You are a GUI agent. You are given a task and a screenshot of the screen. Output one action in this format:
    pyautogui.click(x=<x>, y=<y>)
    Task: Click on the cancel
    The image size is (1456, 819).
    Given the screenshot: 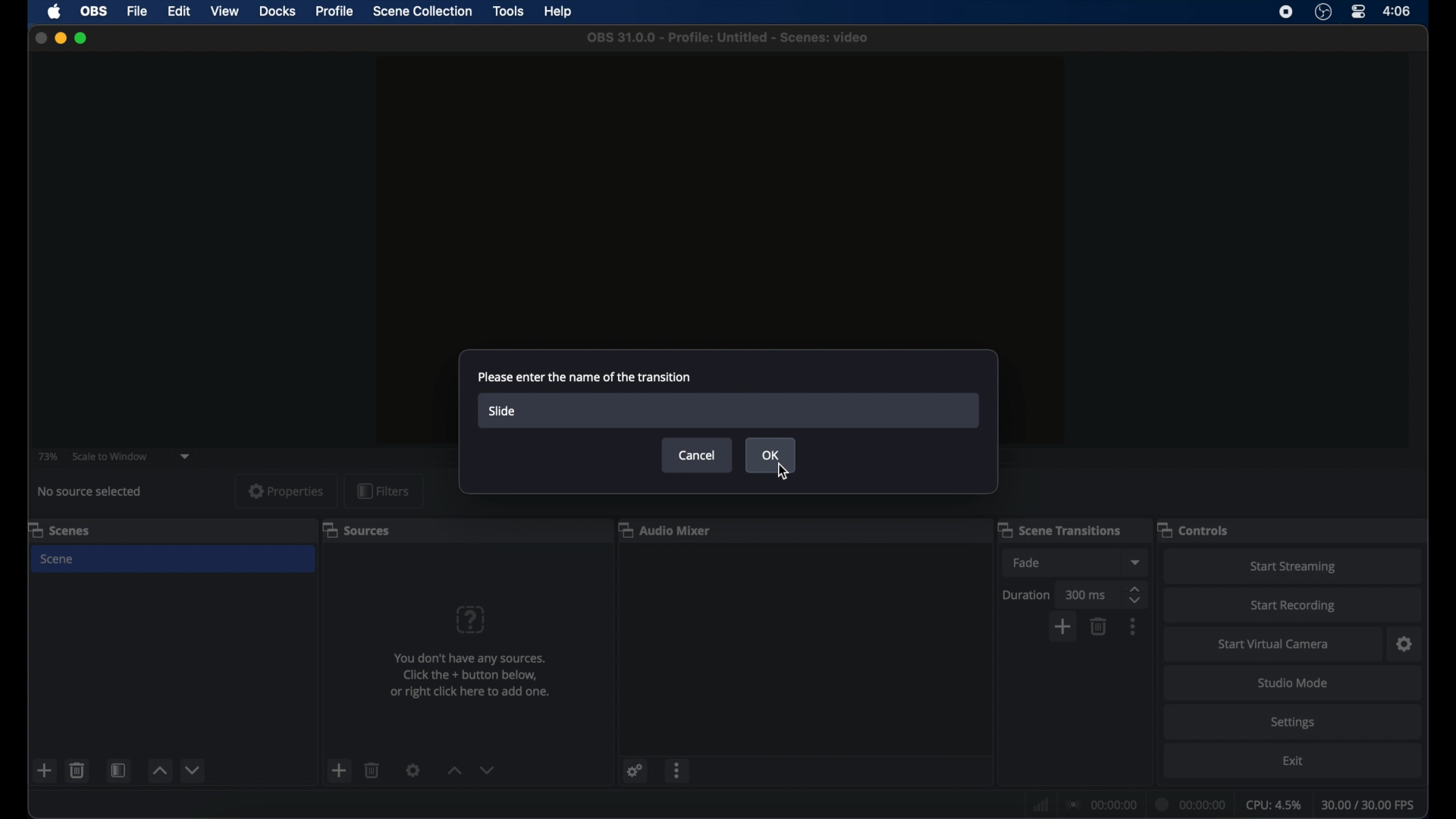 What is the action you would take?
    pyautogui.click(x=699, y=455)
    